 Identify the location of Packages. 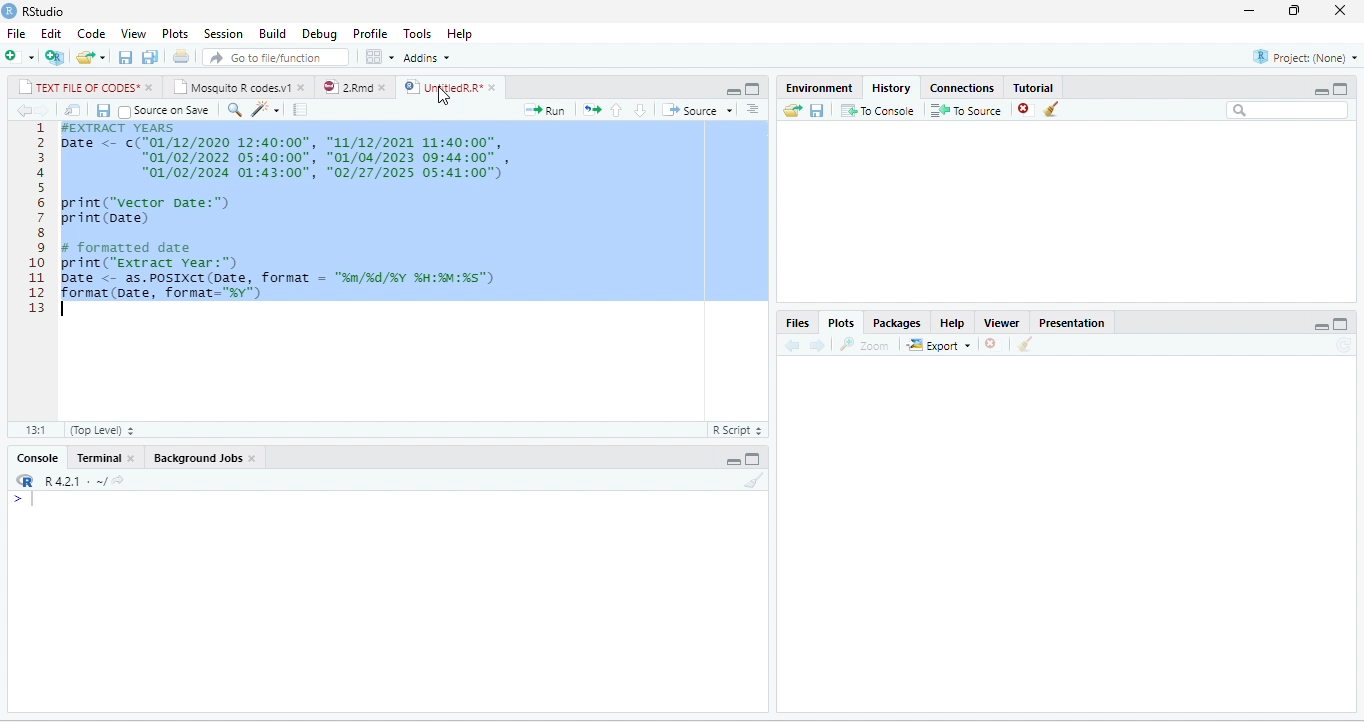
(898, 323).